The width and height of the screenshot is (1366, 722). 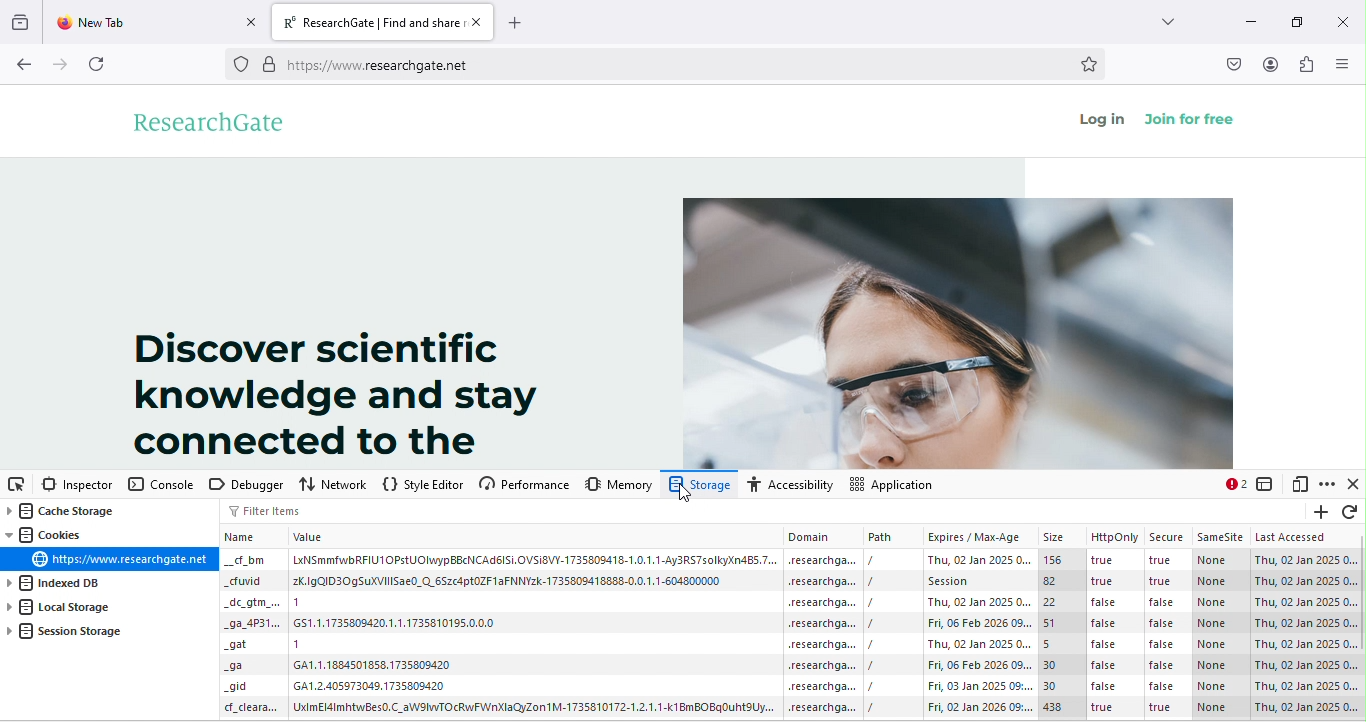 What do you see at coordinates (1096, 63) in the screenshot?
I see `bookmark` at bounding box center [1096, 63].